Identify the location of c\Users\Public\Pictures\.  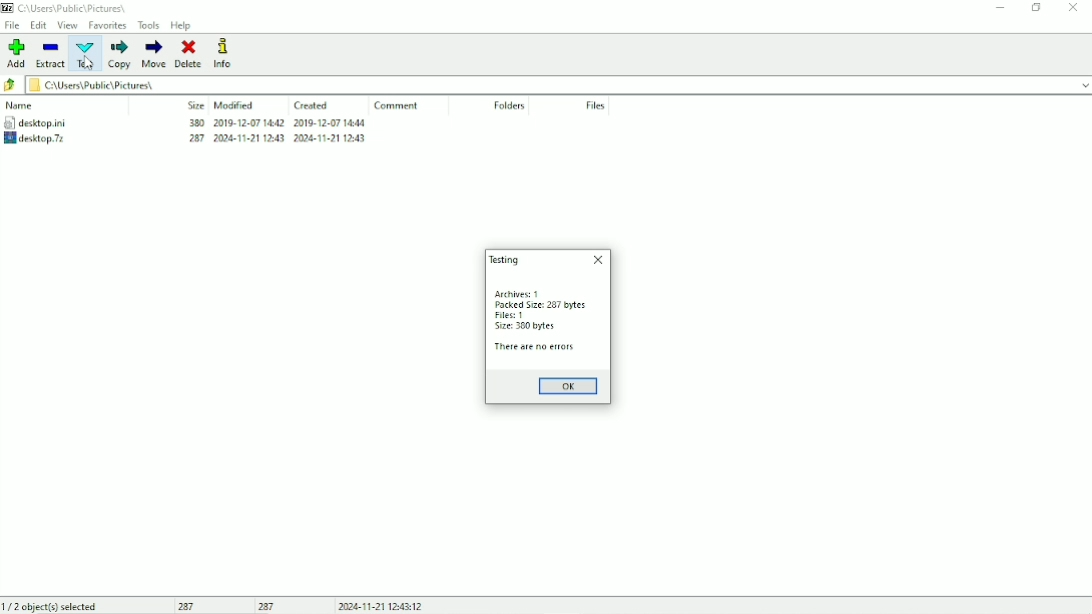
(559, 86).